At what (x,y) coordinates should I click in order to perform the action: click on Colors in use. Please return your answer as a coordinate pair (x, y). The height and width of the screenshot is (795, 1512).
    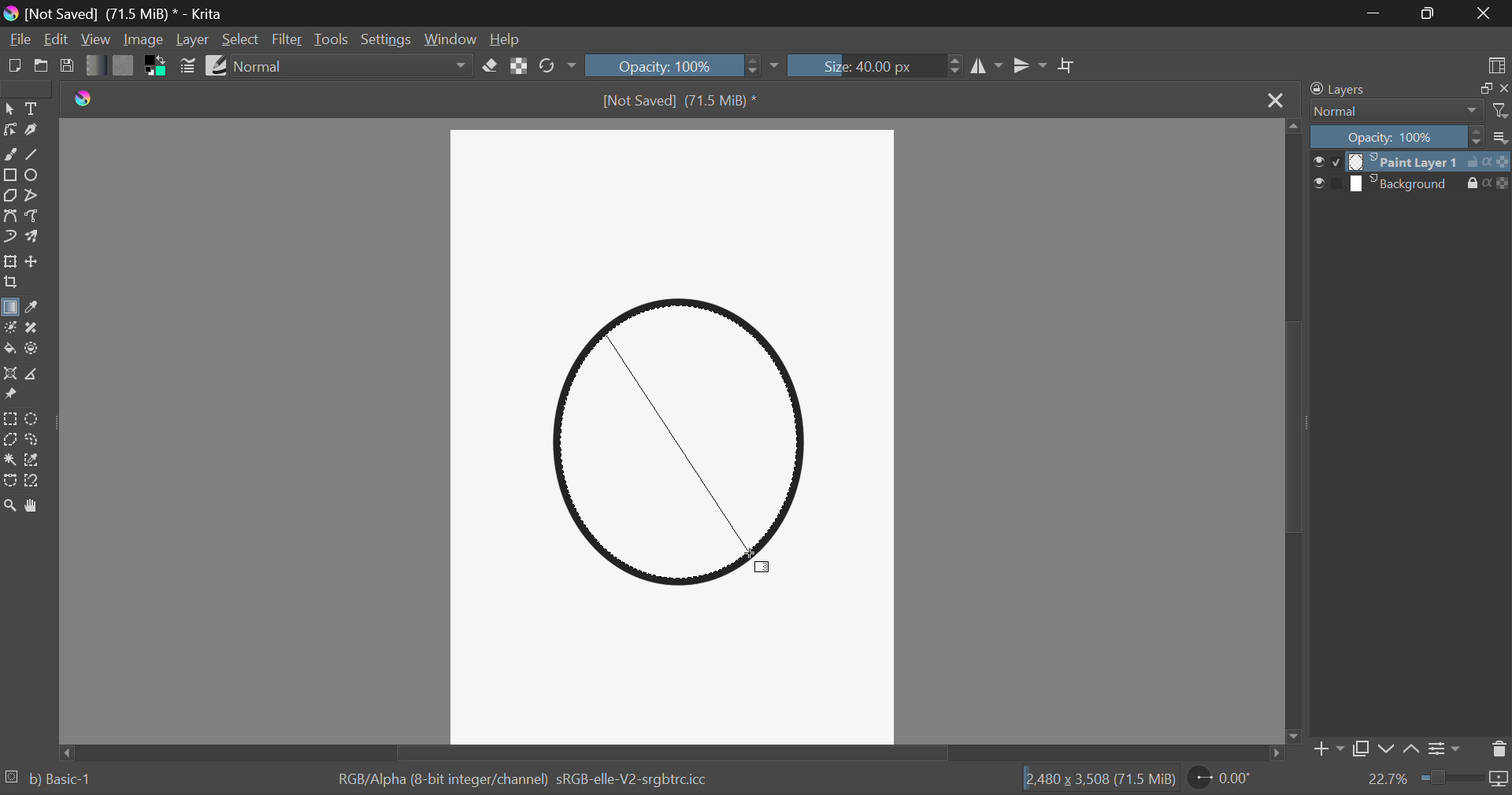
    Looking at the image, I should click on (156, 67).